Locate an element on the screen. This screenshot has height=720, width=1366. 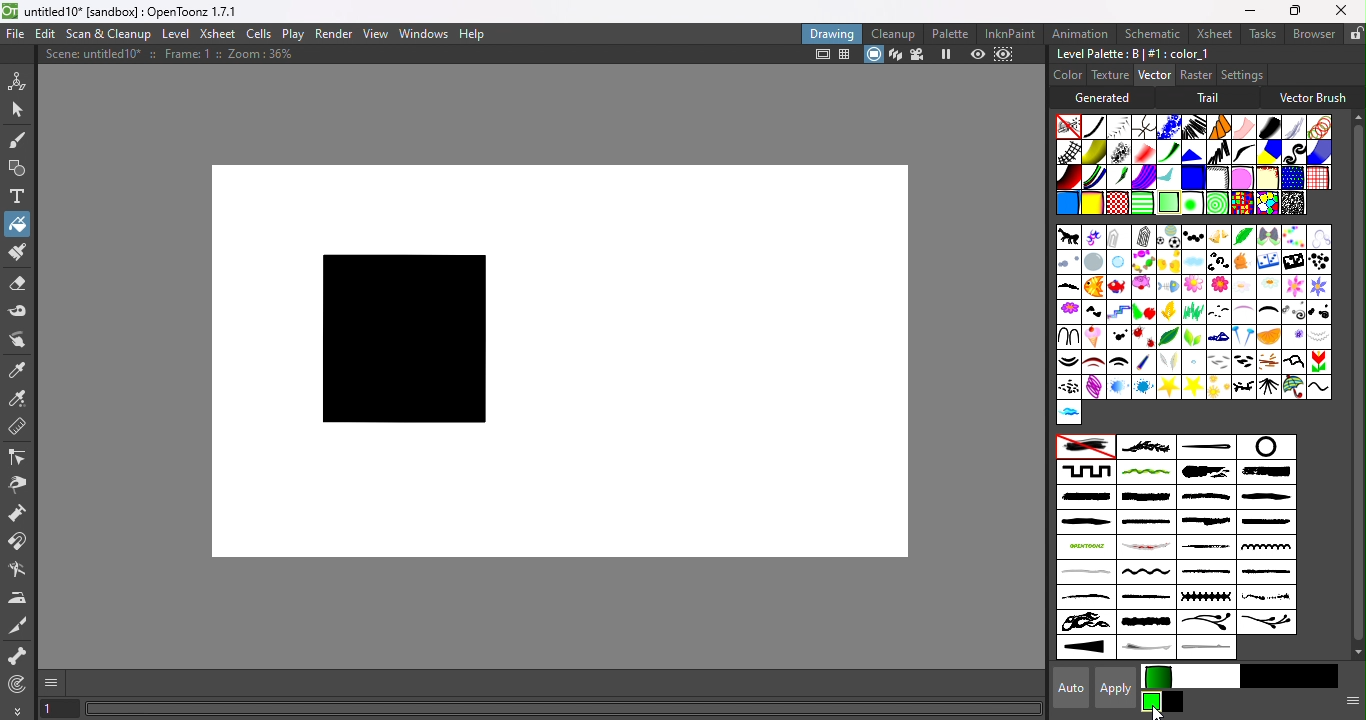
stencil_flame is located at coordinates (1084, 623).